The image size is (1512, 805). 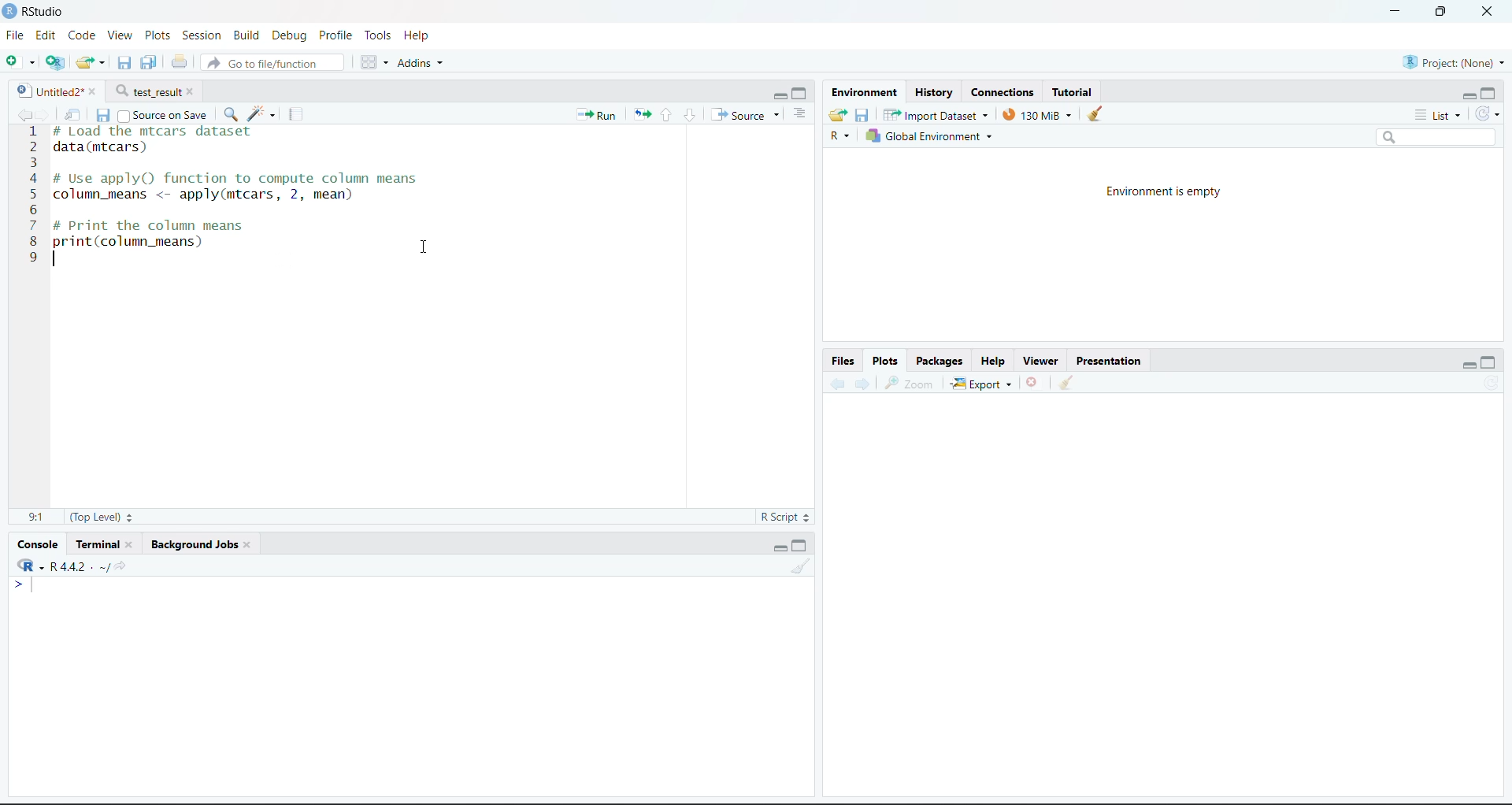 I want to click on Refresh the list of objects in the environment, so click(x=1487, y=113).